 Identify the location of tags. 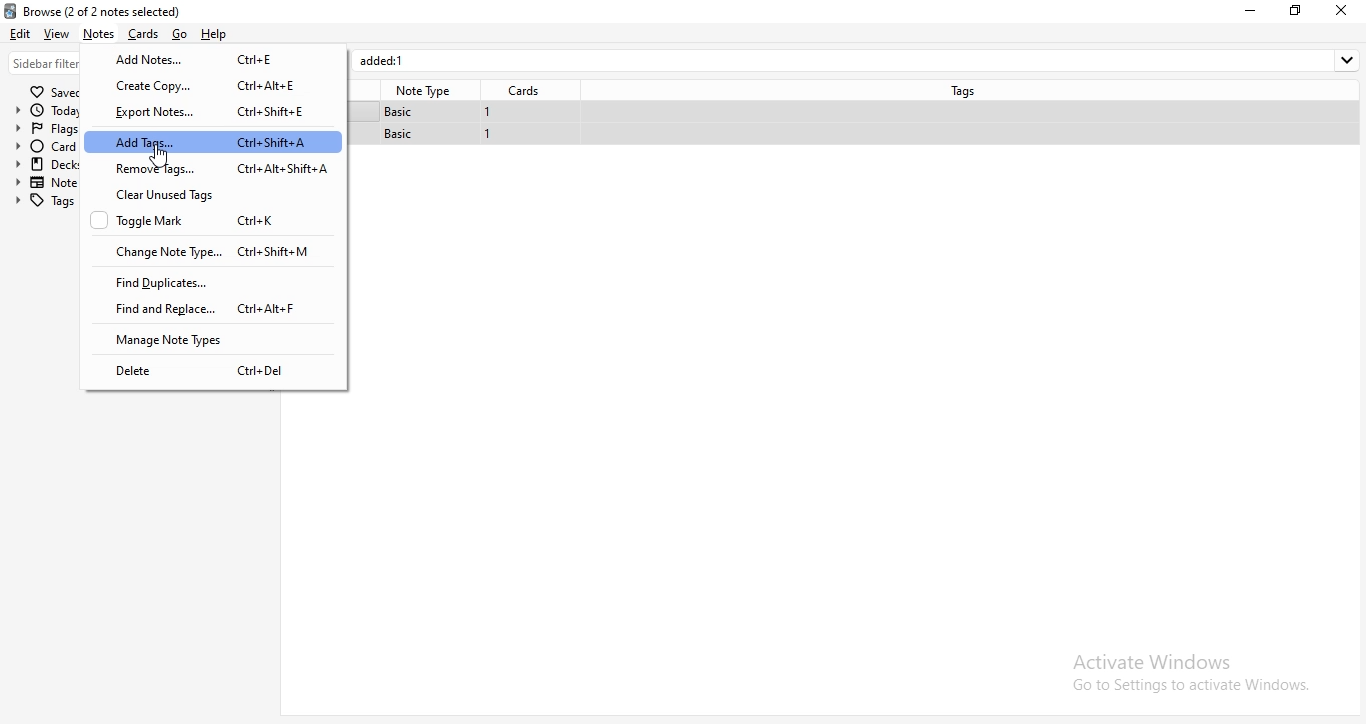
(968, 89).